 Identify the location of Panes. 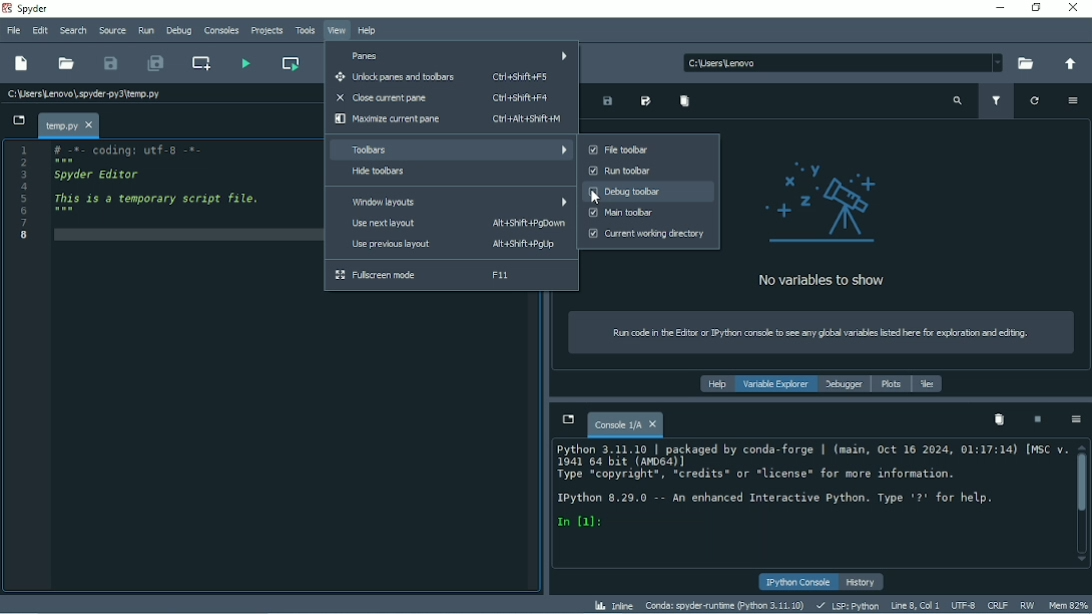
(450, 55).